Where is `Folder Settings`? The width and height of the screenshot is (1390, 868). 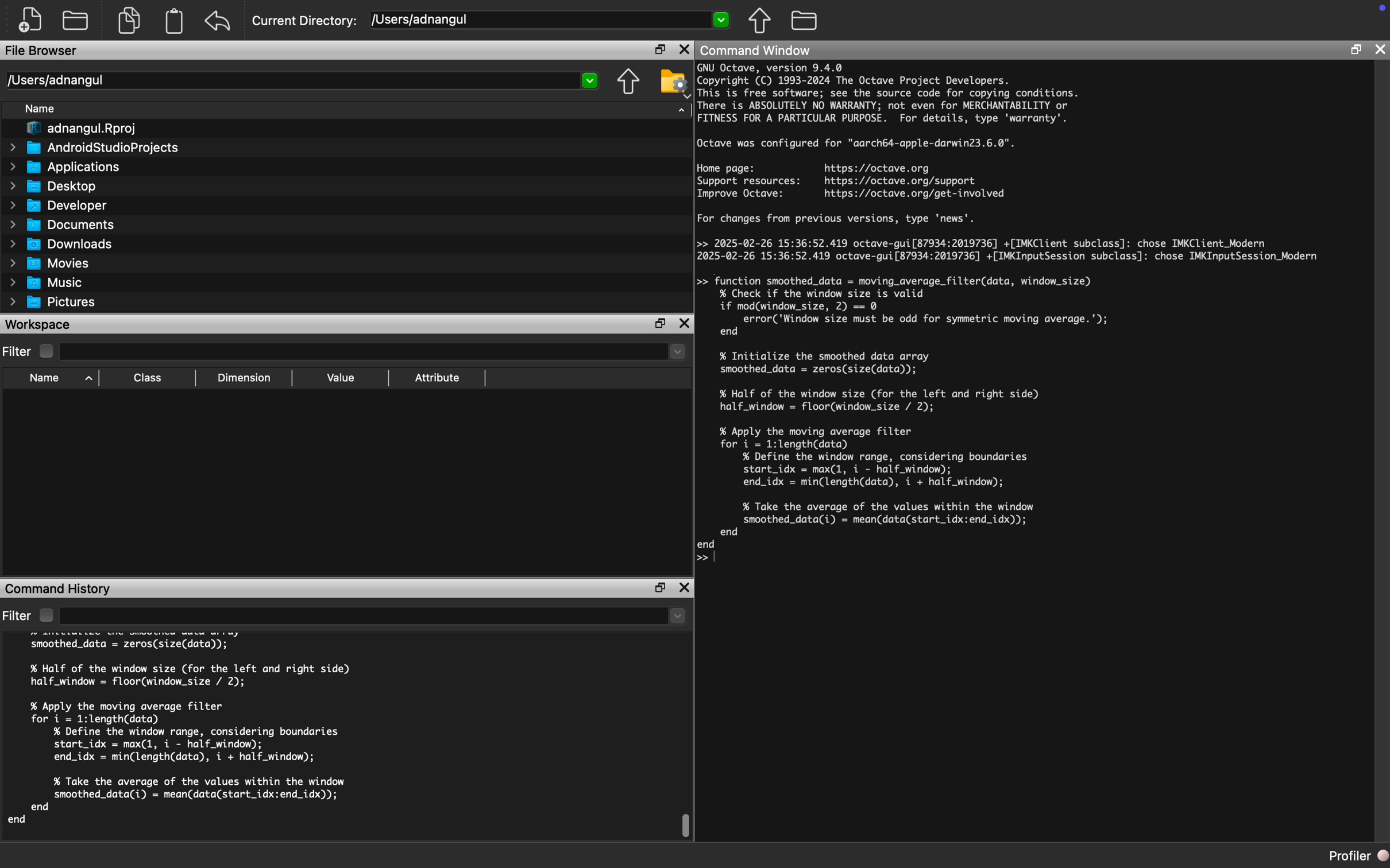
Folder Settings is located at coordinates (674, 83).